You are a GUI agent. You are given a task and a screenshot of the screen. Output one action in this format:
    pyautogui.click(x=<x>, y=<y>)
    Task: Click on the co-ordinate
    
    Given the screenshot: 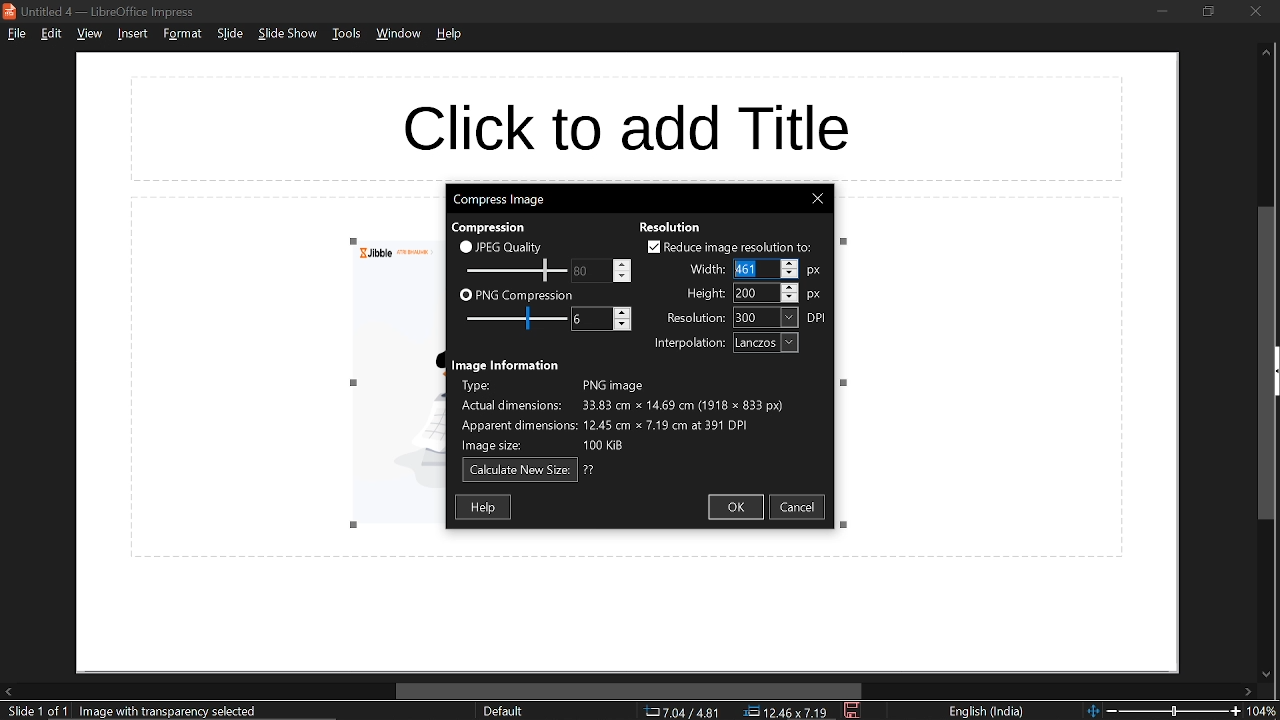 What is the action you would take?
    pyautogui.click(x=682, y=712)
    